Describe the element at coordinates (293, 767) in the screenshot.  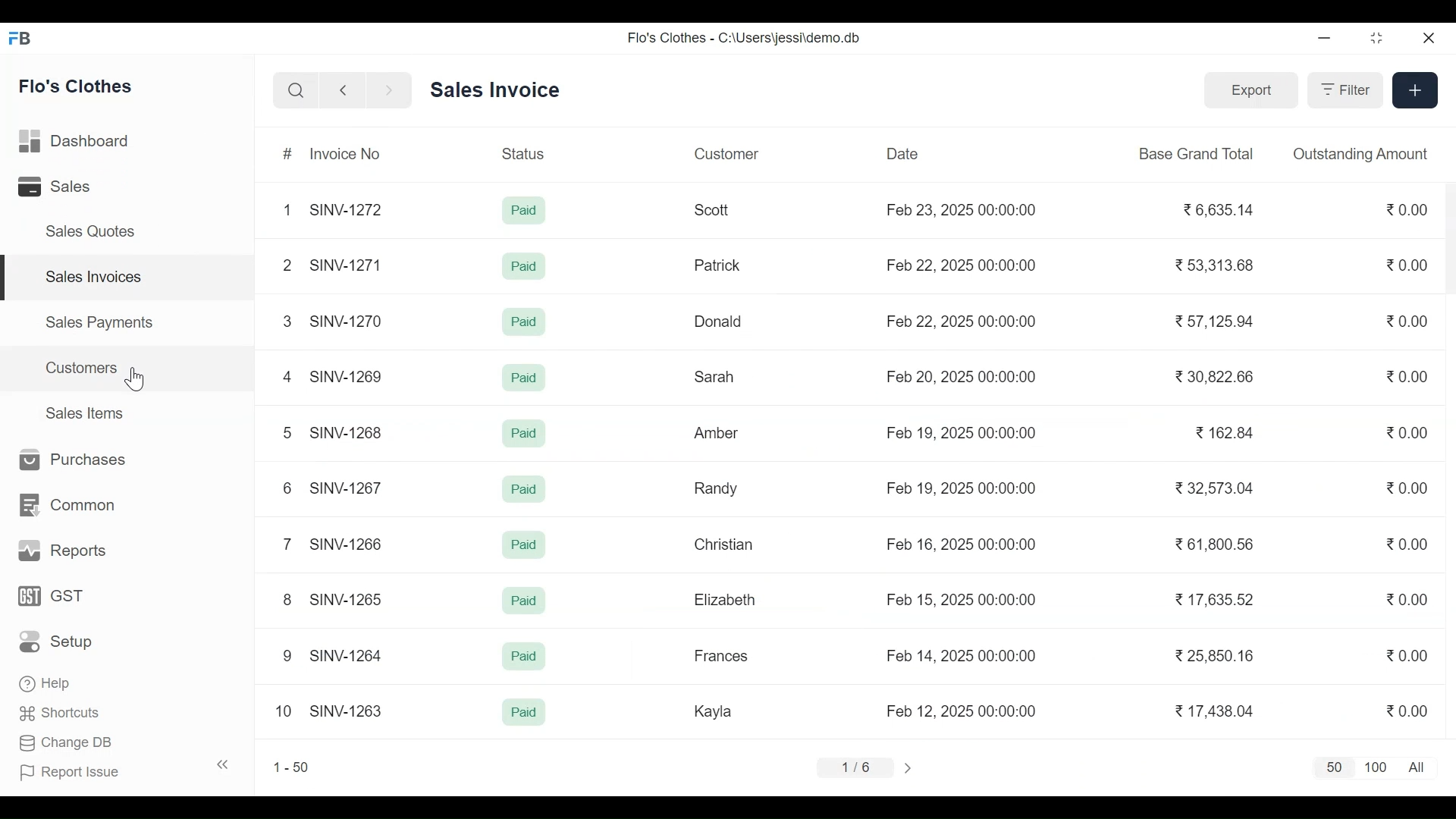
I see `1-50` at that location.